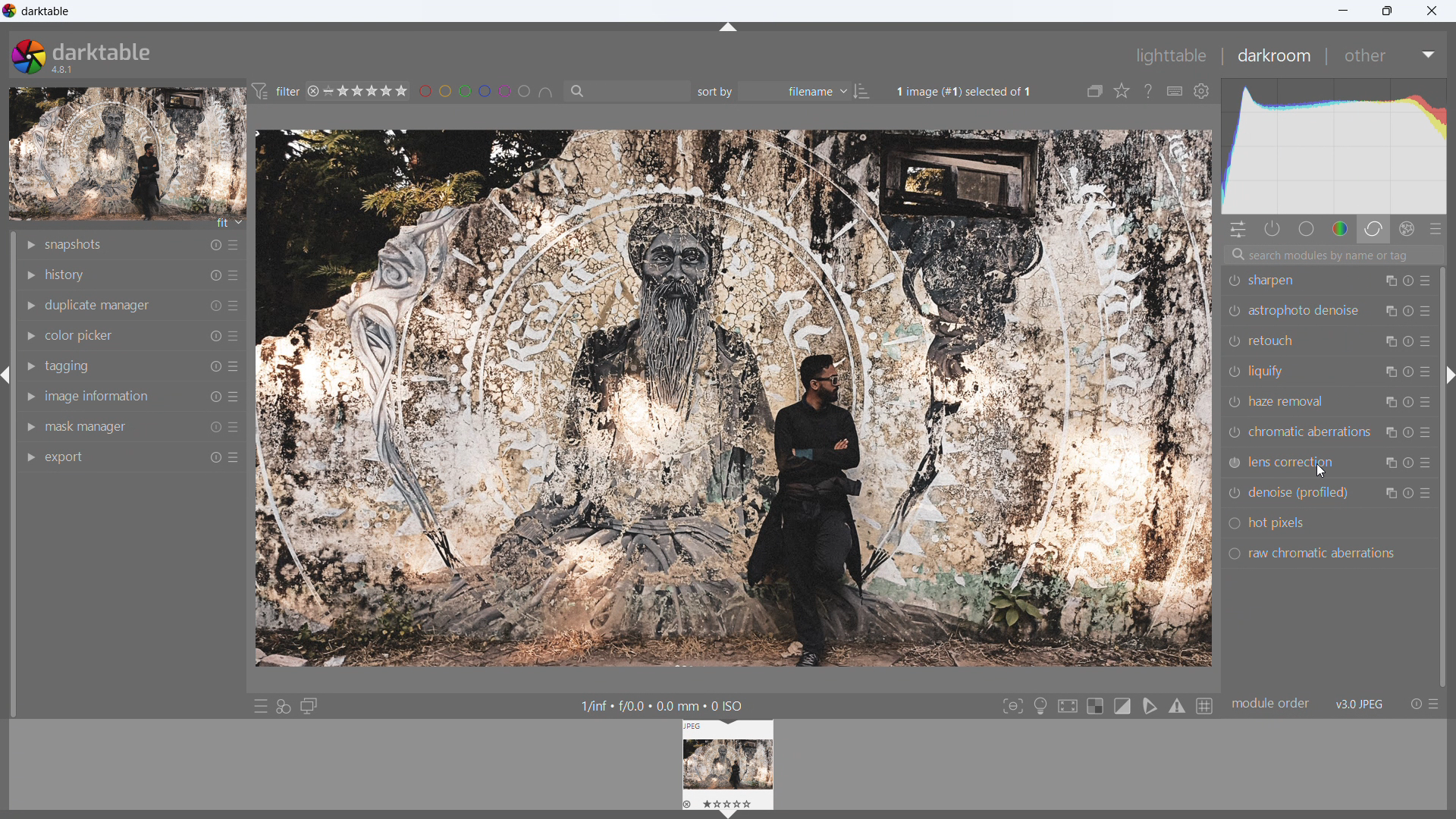 The image size is (1456, 819). Describe the element at coordinates (1122, 92) in the screenshot. I see `click to change the type of overlays shown on thumbnails` at that location.